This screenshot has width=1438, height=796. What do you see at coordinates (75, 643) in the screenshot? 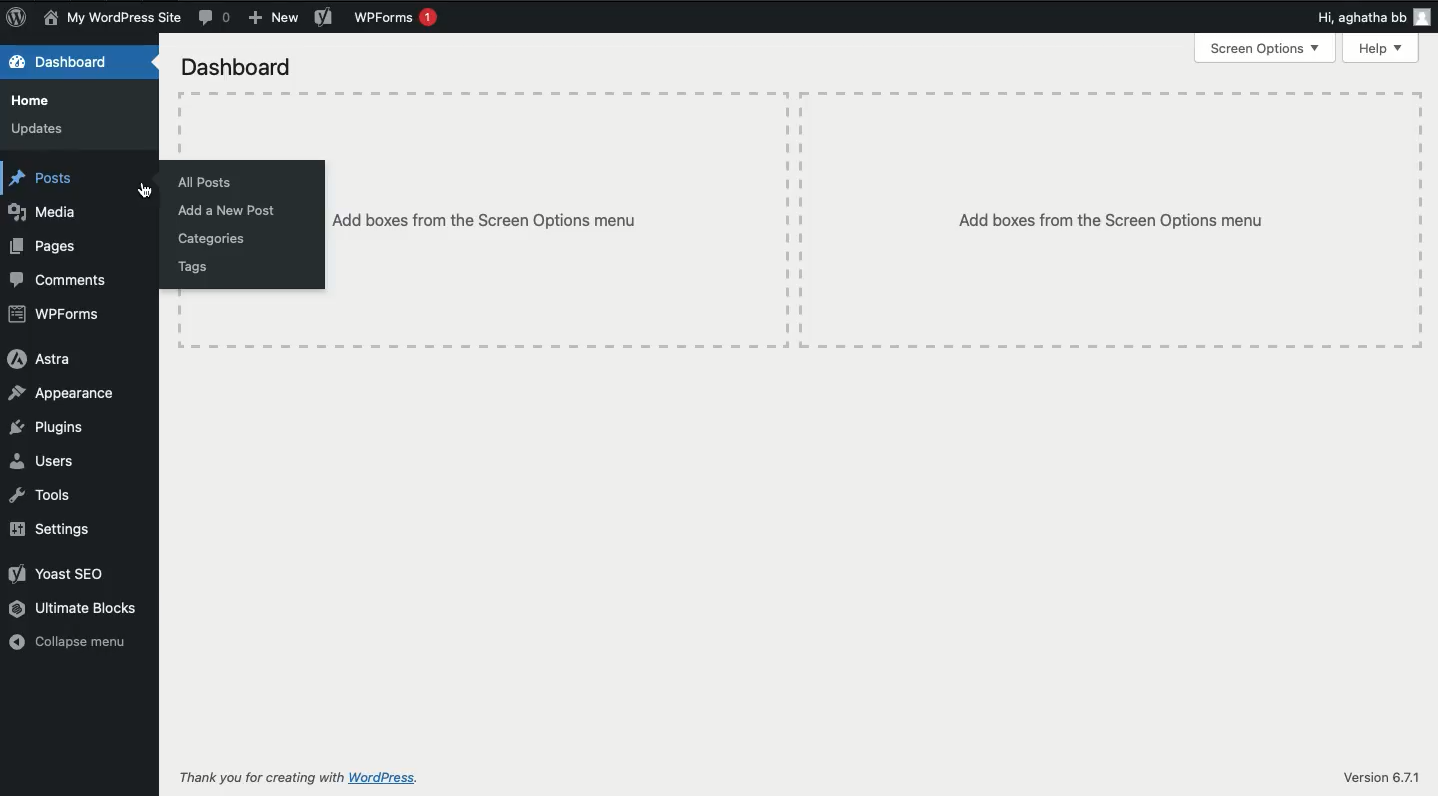
I see `Collapse menu` at bounding box center [75, 643].